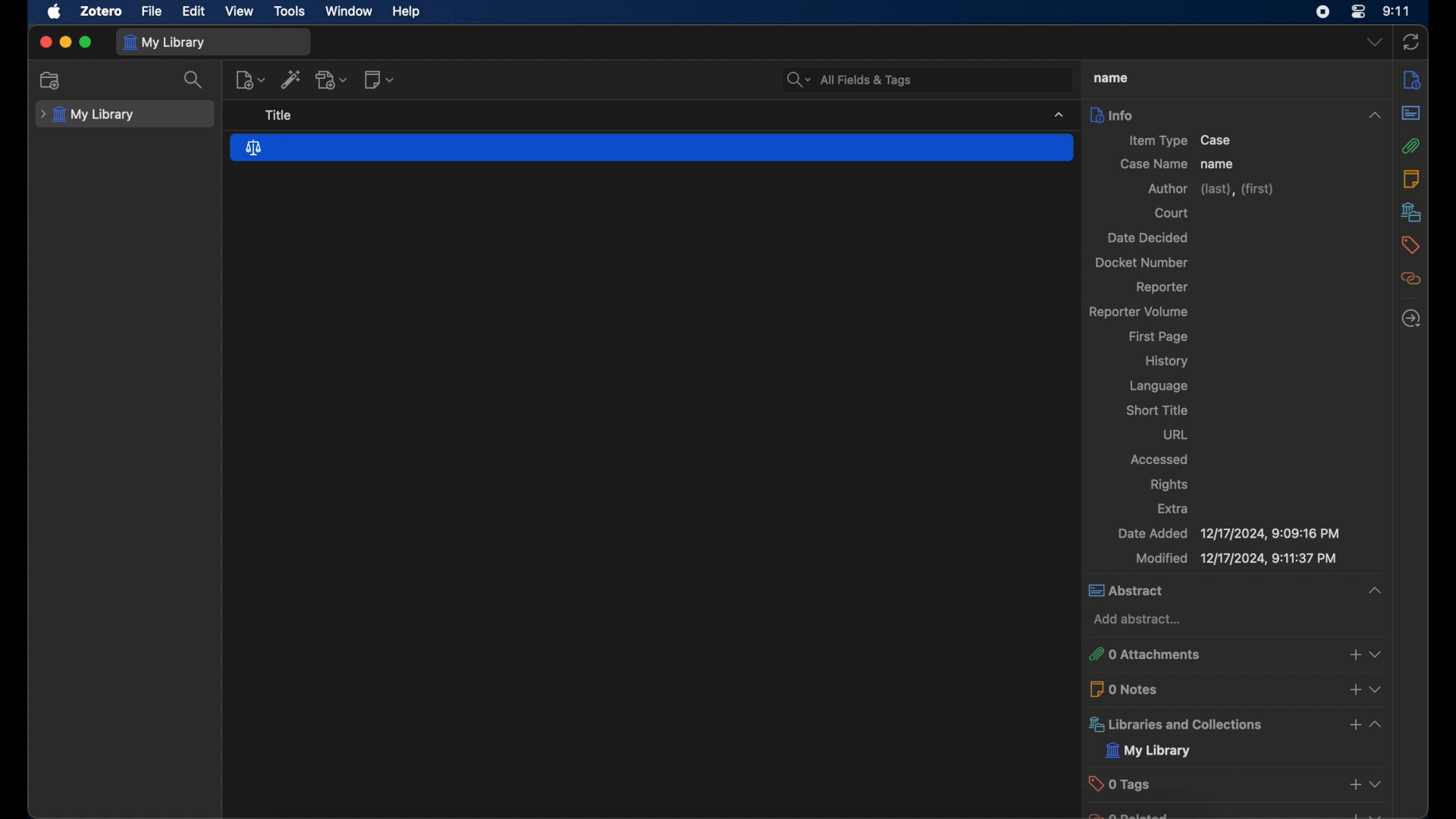 The width and height of the screenshot is (1456, 819). What do you see at coordinates (1239, 113) in the screenshot?
I see `info` at bounding box center [1239, 113].